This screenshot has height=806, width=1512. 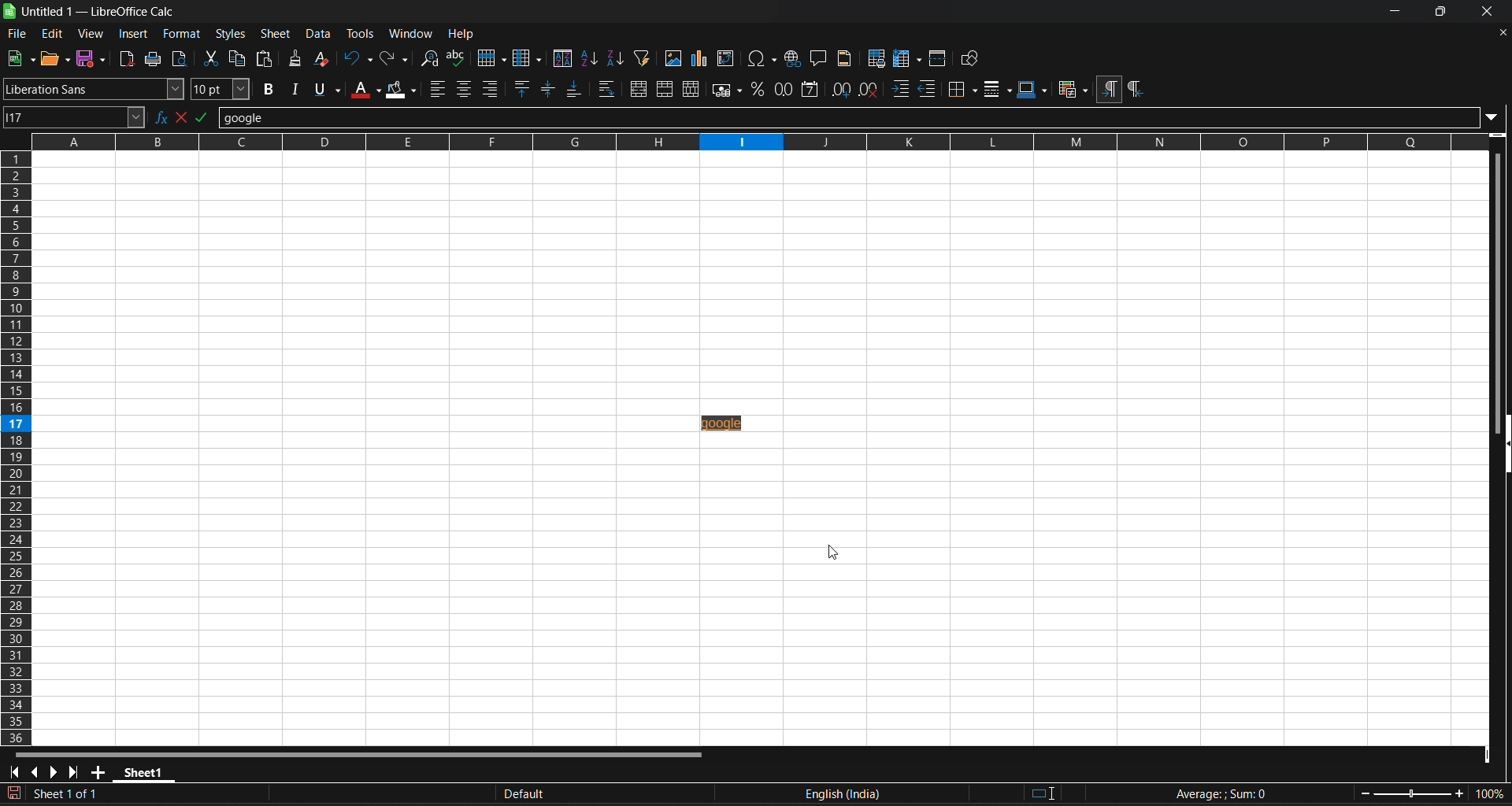 What do you see at coordinates (703, 58) in the screenshot?
I see `insert chrt` at bounding box center [703, 58].